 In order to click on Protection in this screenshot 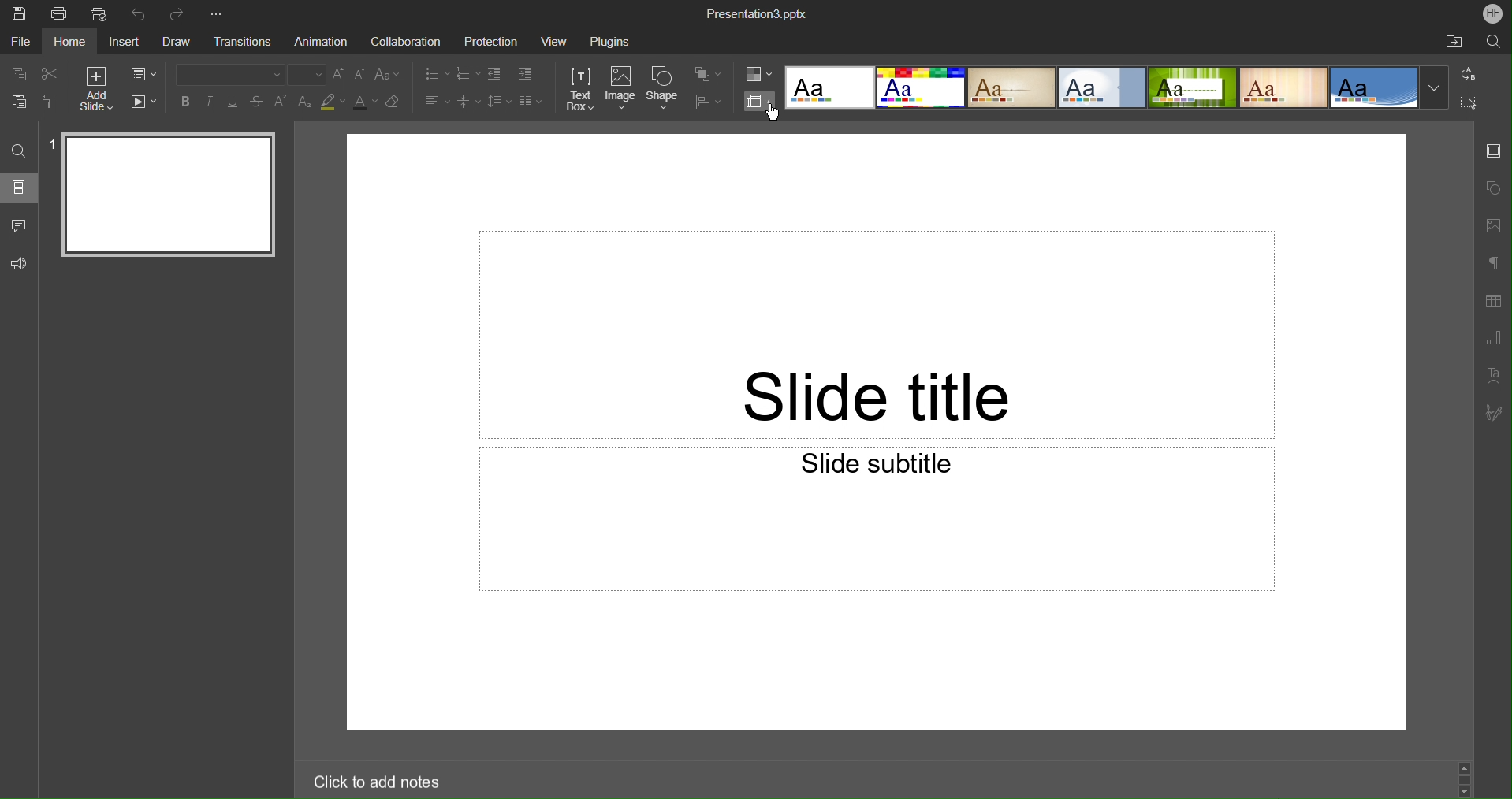, I will do `click(493, 43)`.